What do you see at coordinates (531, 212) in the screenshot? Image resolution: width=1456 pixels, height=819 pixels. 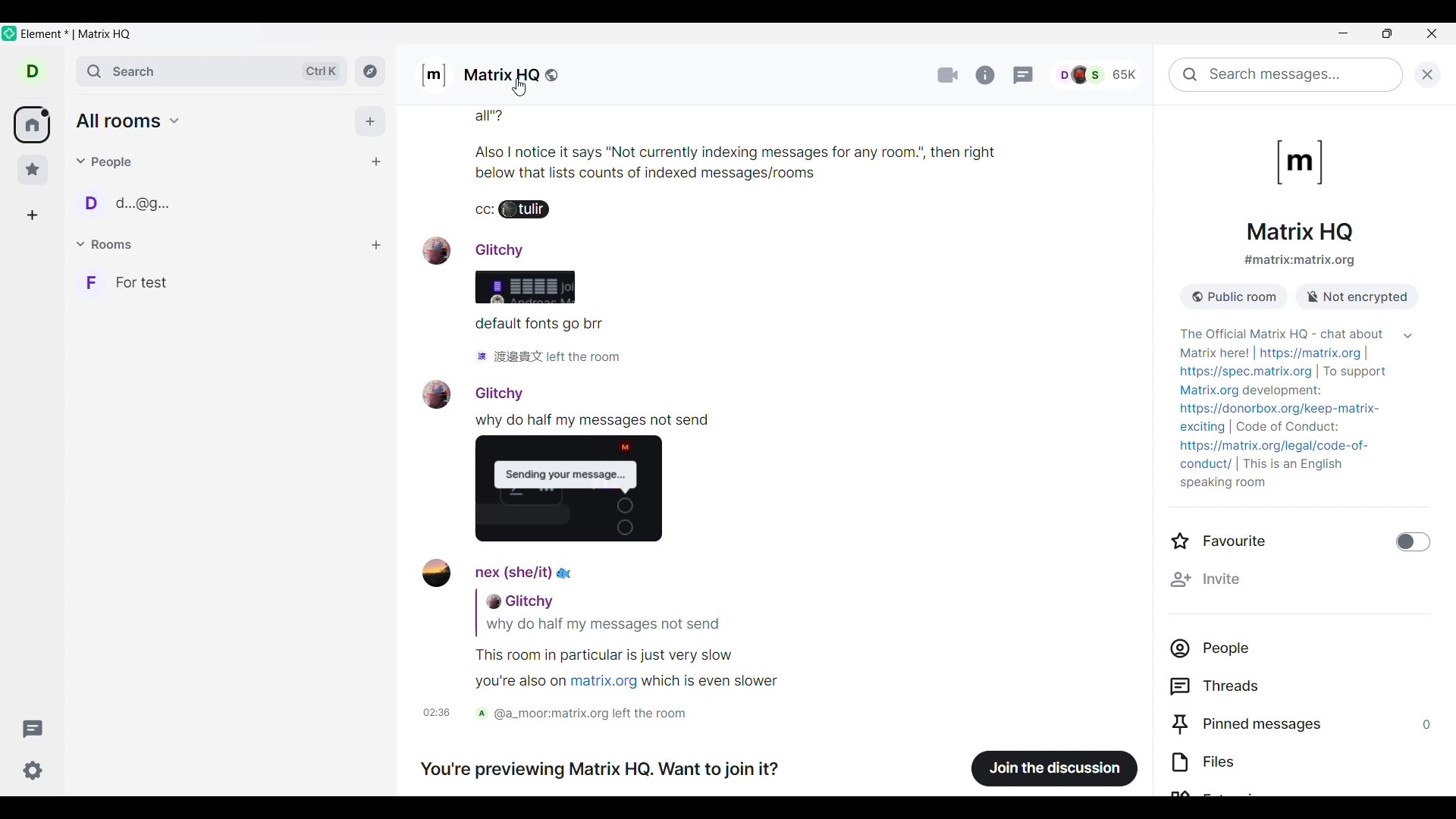 I see `tulir` at bounding box center [531, 212].